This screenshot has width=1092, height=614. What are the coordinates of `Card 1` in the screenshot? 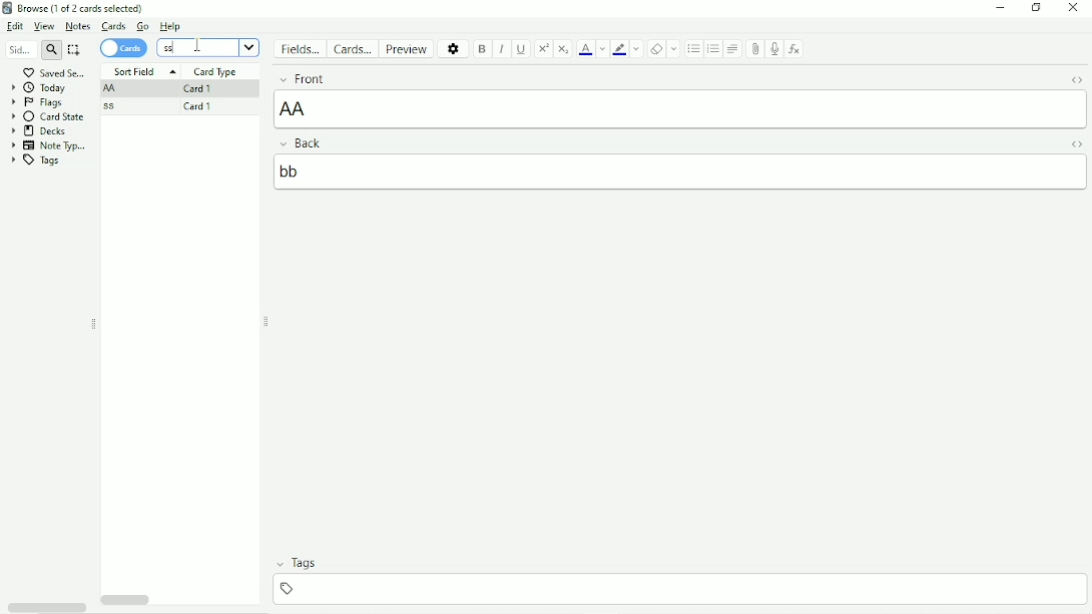 It's located at (198, 107).